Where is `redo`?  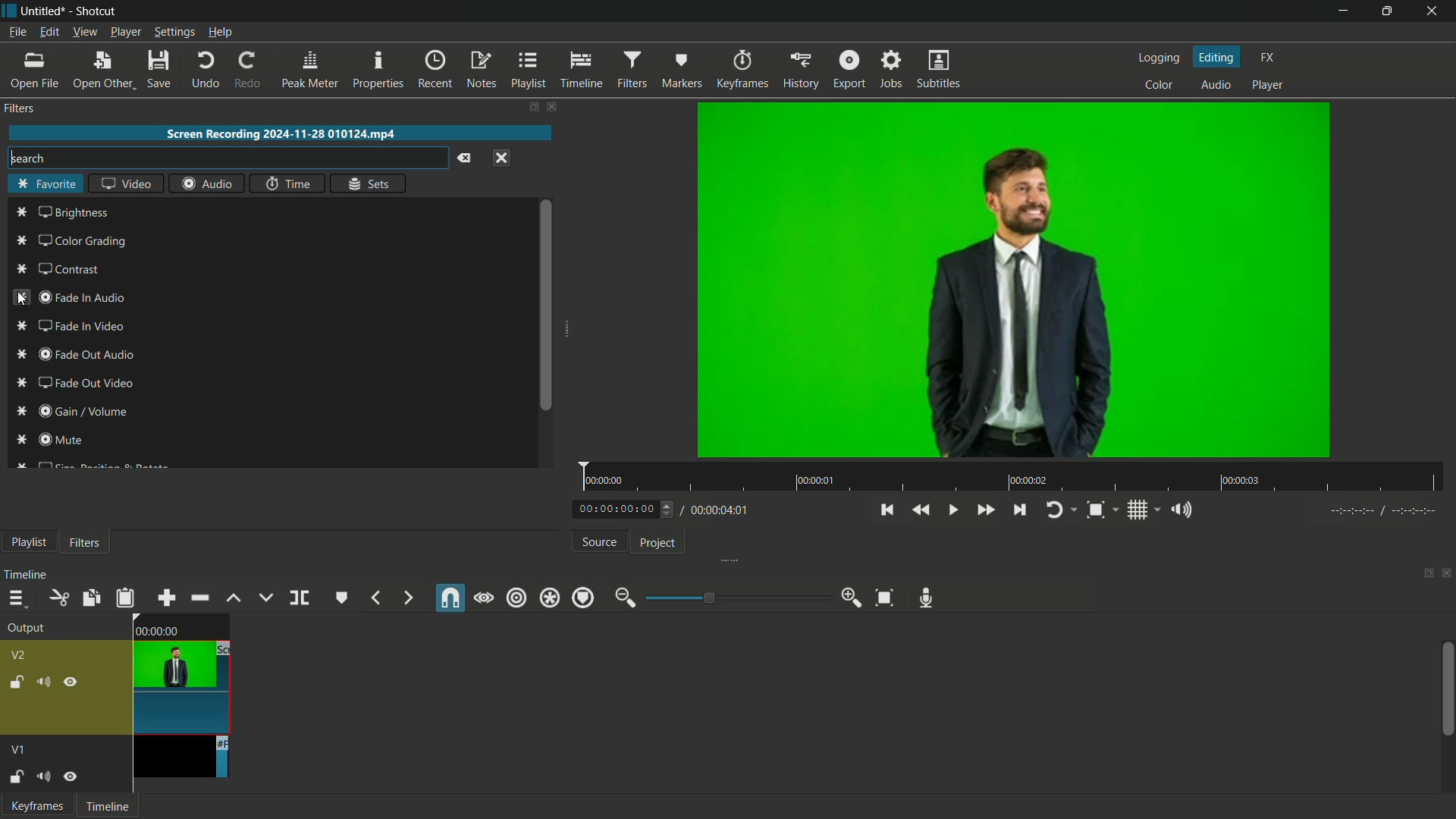 redo is located at coordinates (245, 70).